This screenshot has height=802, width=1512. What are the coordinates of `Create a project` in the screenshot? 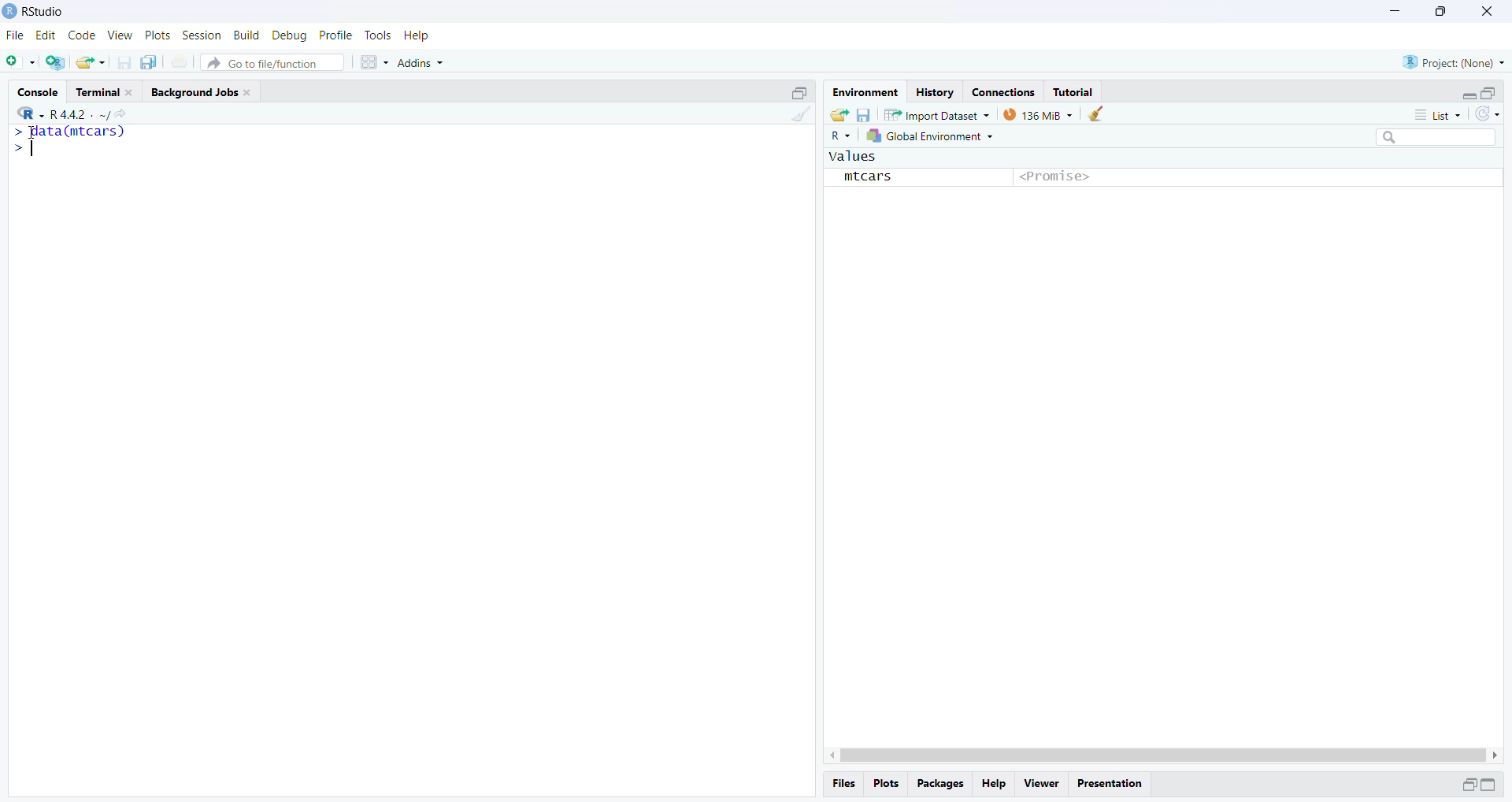 It's located at (56, 61).